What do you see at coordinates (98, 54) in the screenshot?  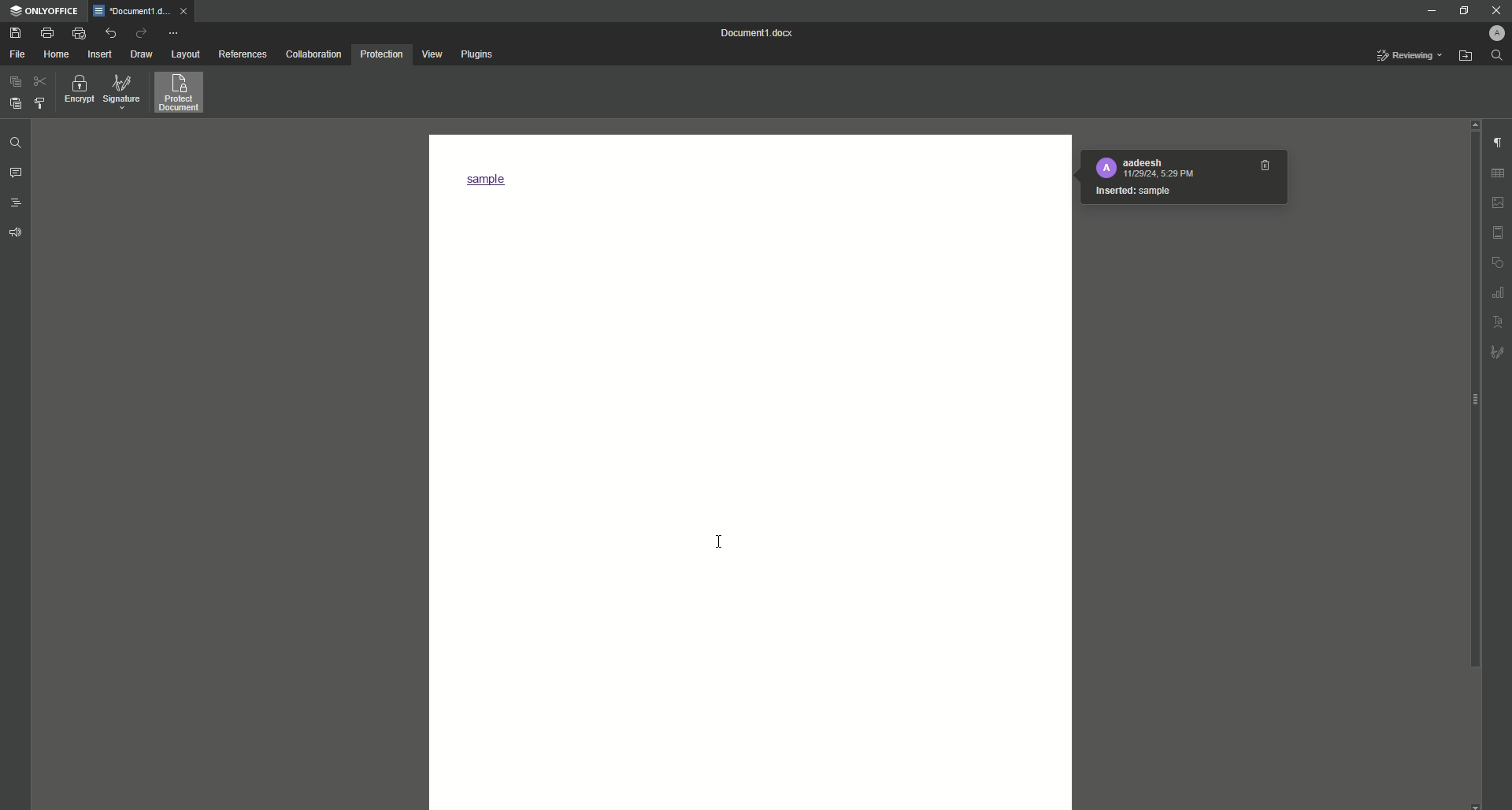 I see `Insert` at bounding box center [98, 54].